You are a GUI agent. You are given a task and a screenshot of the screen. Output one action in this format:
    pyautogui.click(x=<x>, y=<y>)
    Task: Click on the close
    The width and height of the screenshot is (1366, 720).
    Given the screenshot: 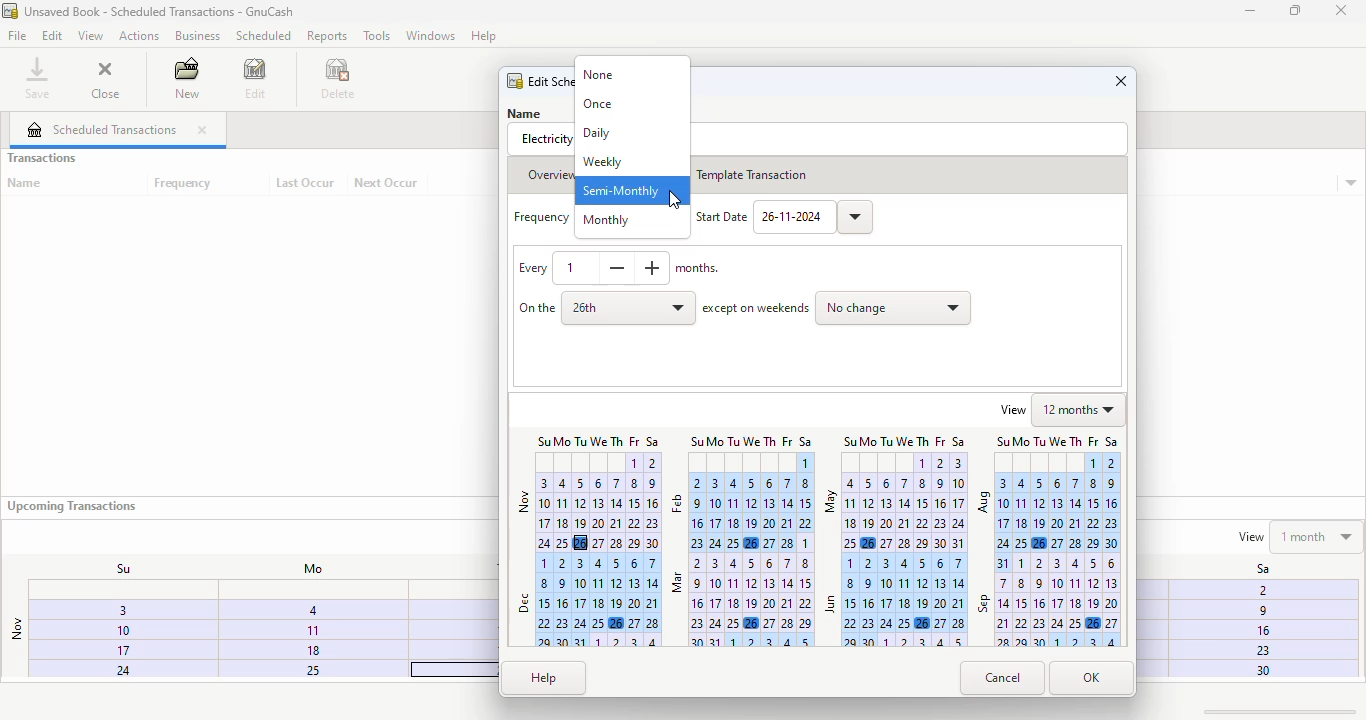 What is the action you would take?
    pyautogui.click(x=1341, y=11)
    